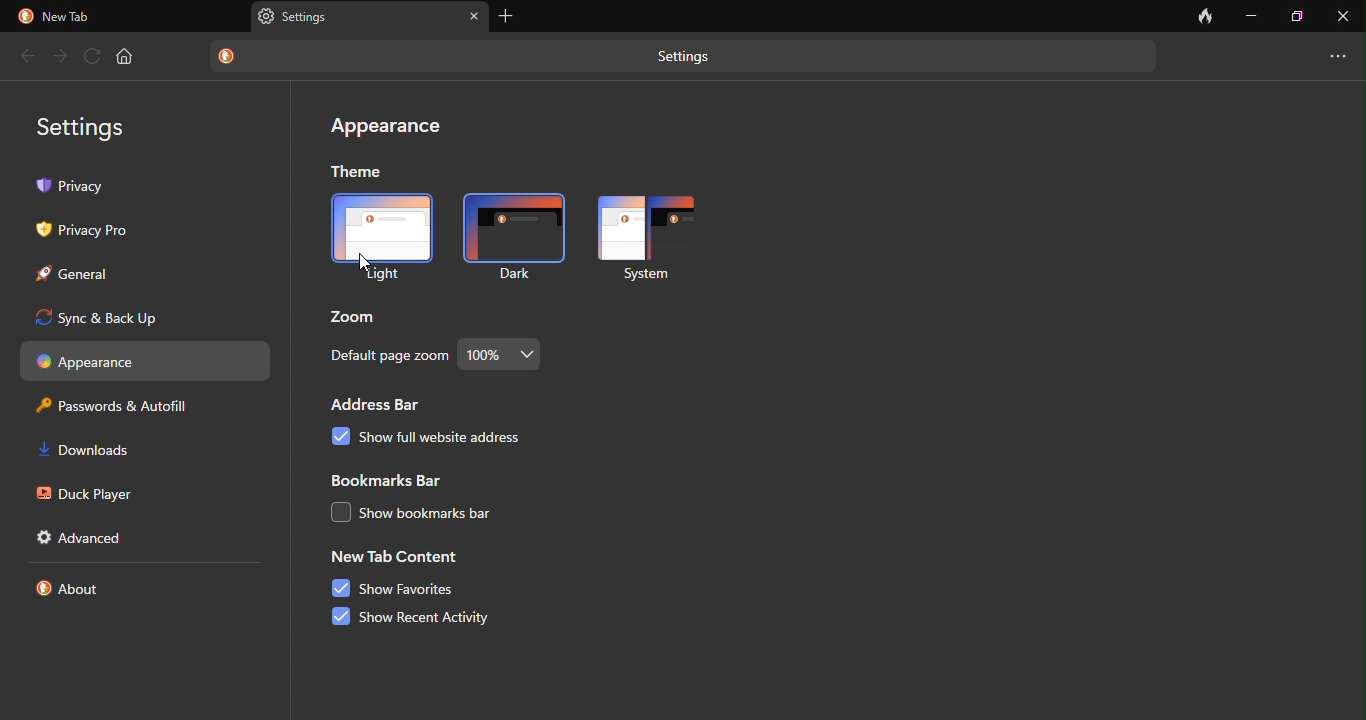 This screenshot has height=720, width=1366. What do you see at coordinates (90, 123) in the screenshot?
I see `settings` at bounding box center [90, 123].